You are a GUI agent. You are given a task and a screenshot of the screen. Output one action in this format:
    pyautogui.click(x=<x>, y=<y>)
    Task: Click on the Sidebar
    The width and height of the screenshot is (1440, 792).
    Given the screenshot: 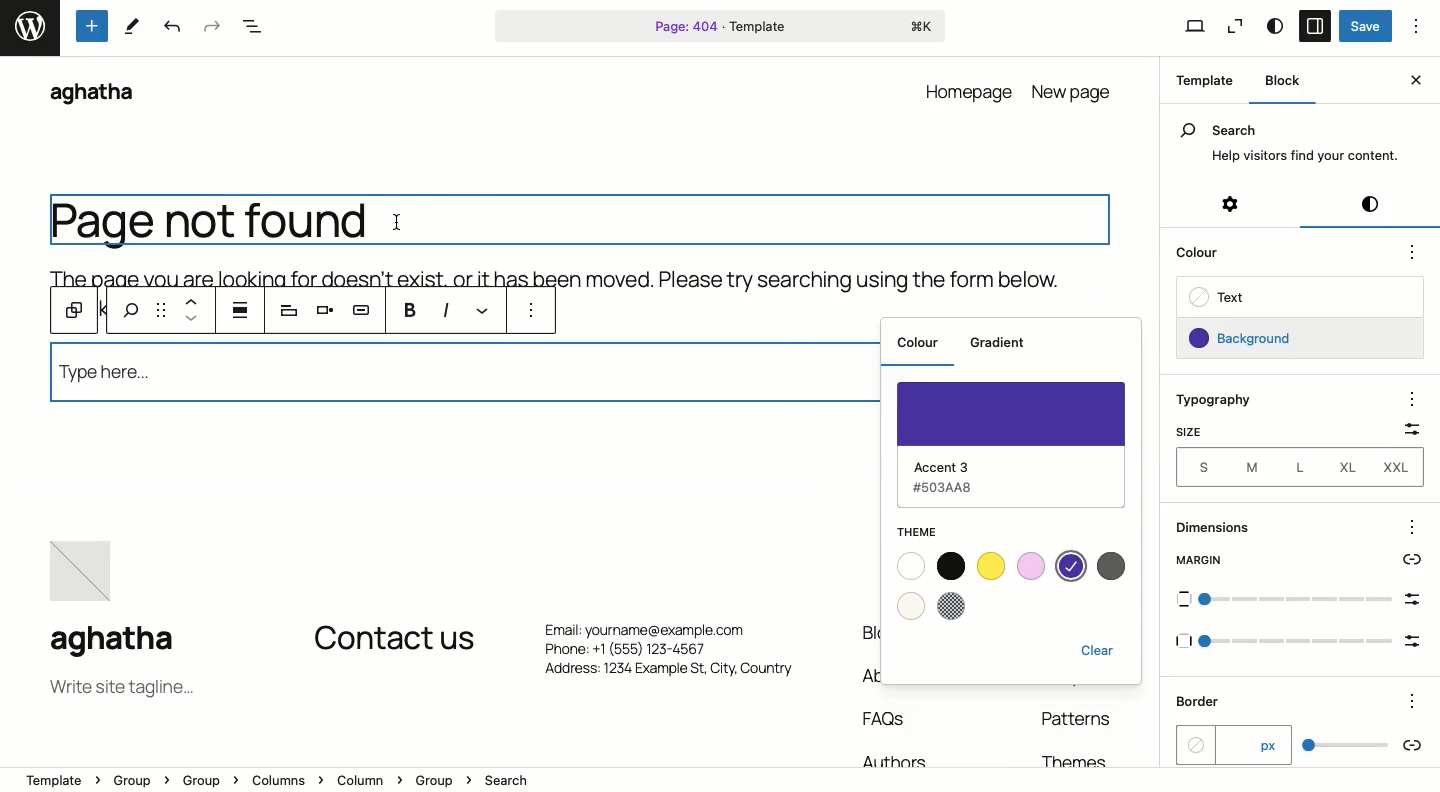 What is the action you would take?
    pyautogui.click(x=1316, y=26)
    